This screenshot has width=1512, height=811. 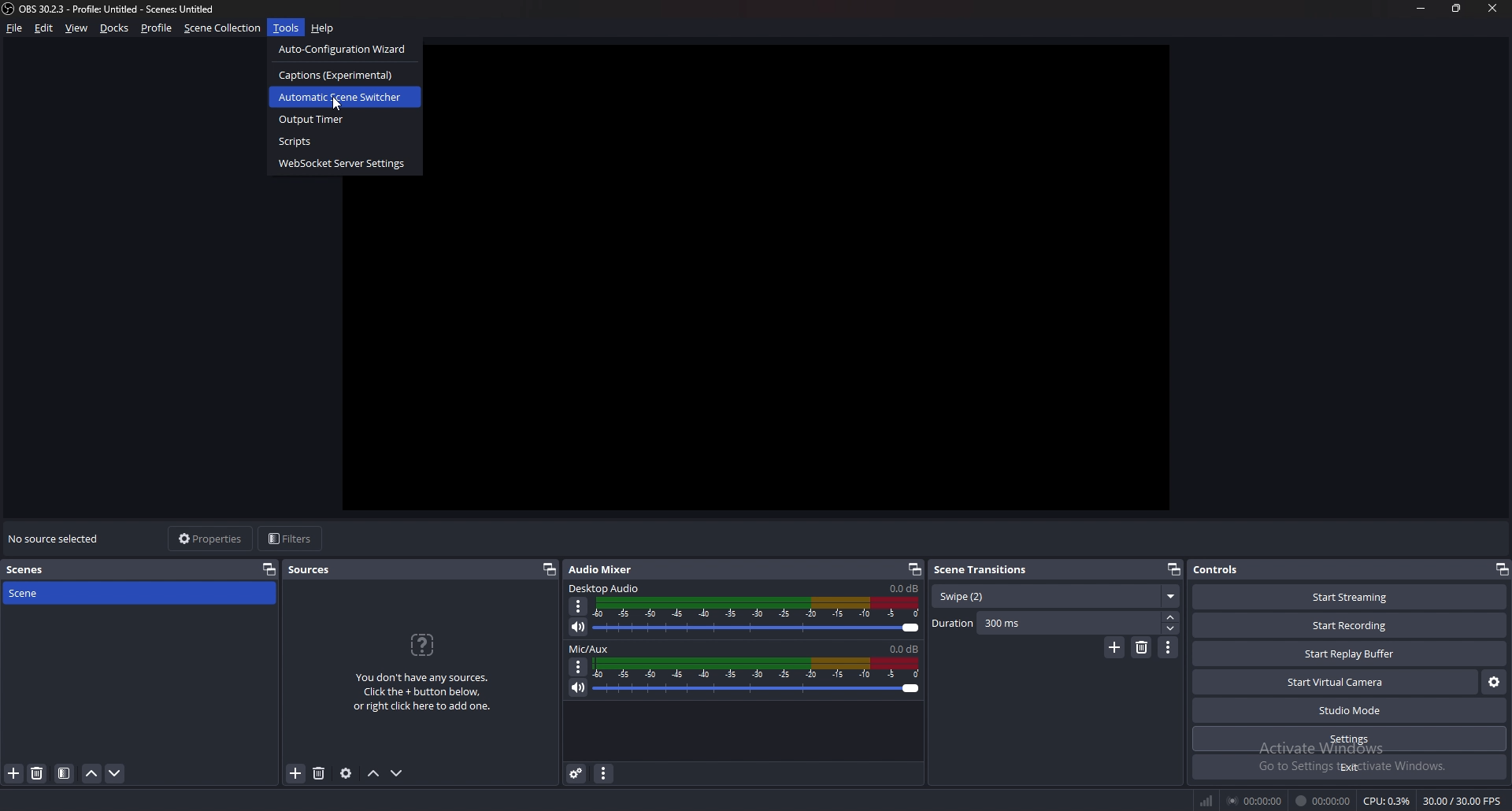 I want to click on increase duration, so click(x=1172, y=616).